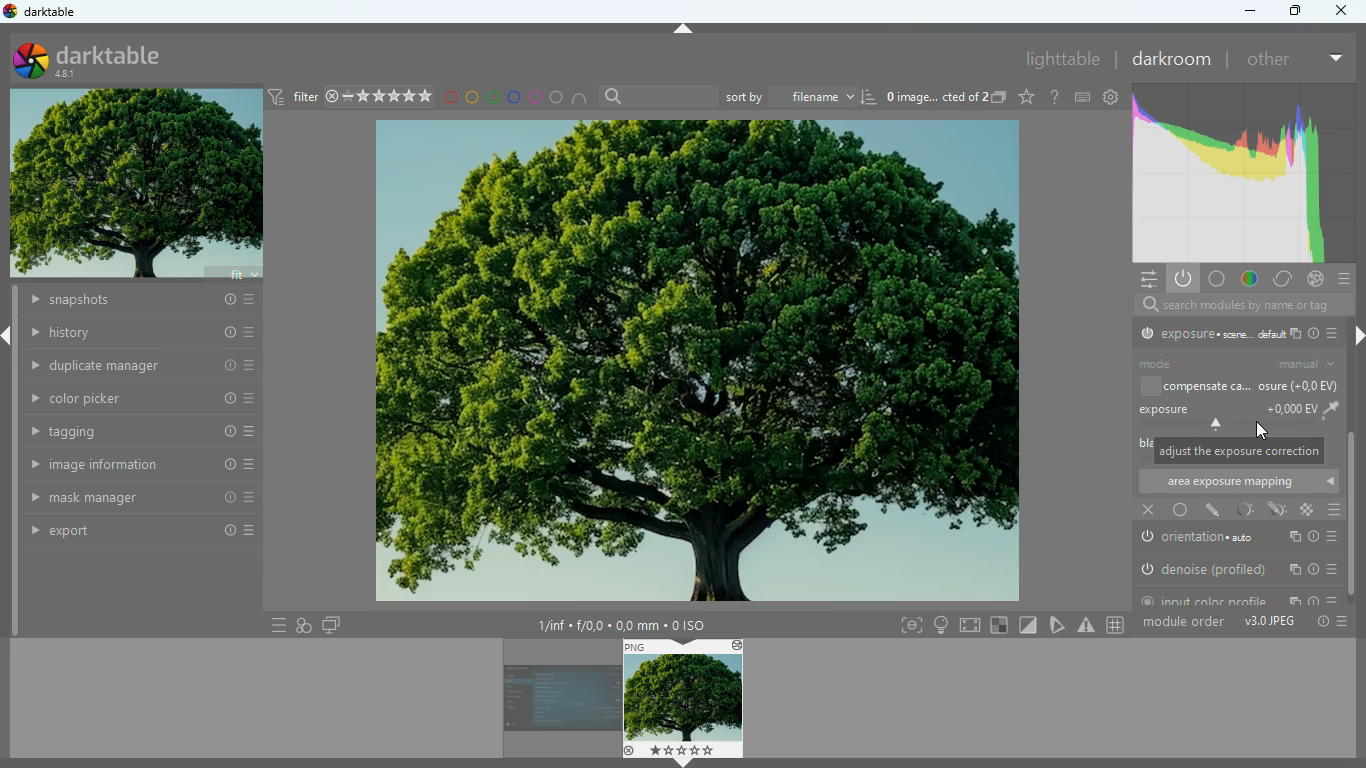  What do you see at coordinates (693, 362) in the screenshot?
I see `image` at bounding box center [693, 362].